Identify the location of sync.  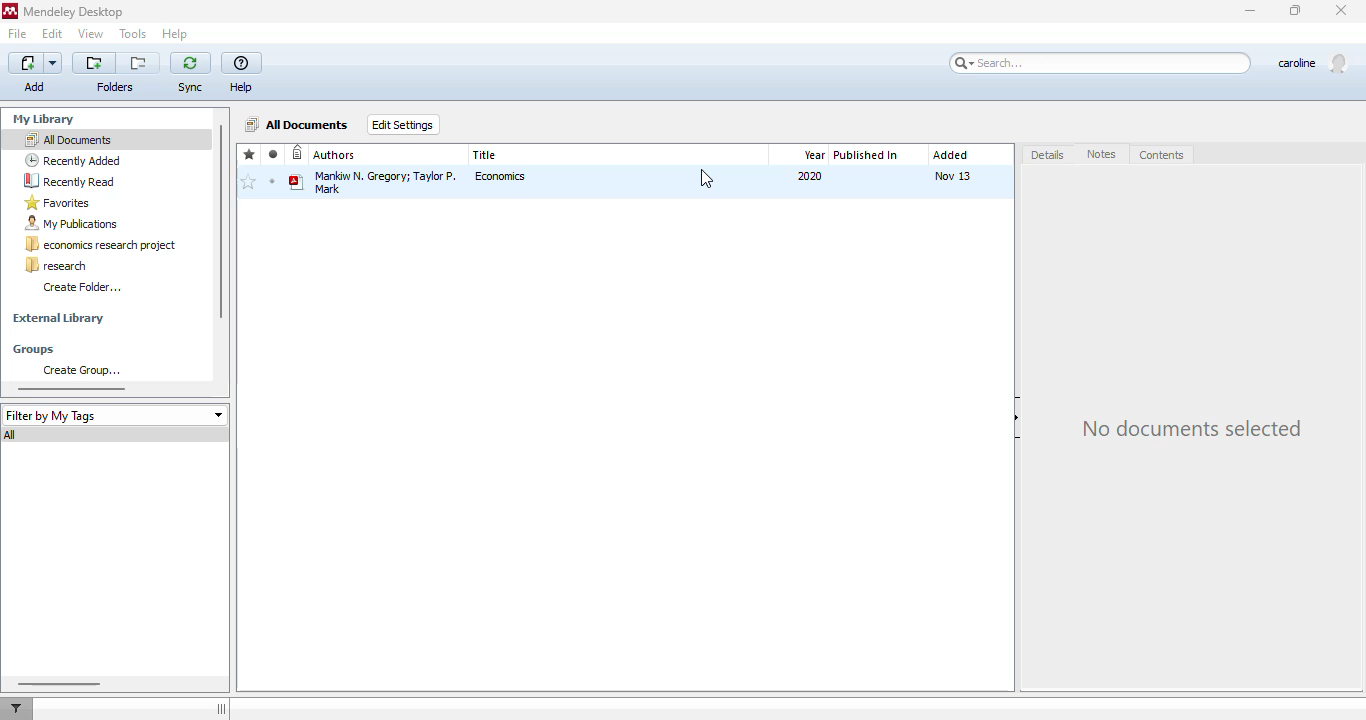
(190, 62).